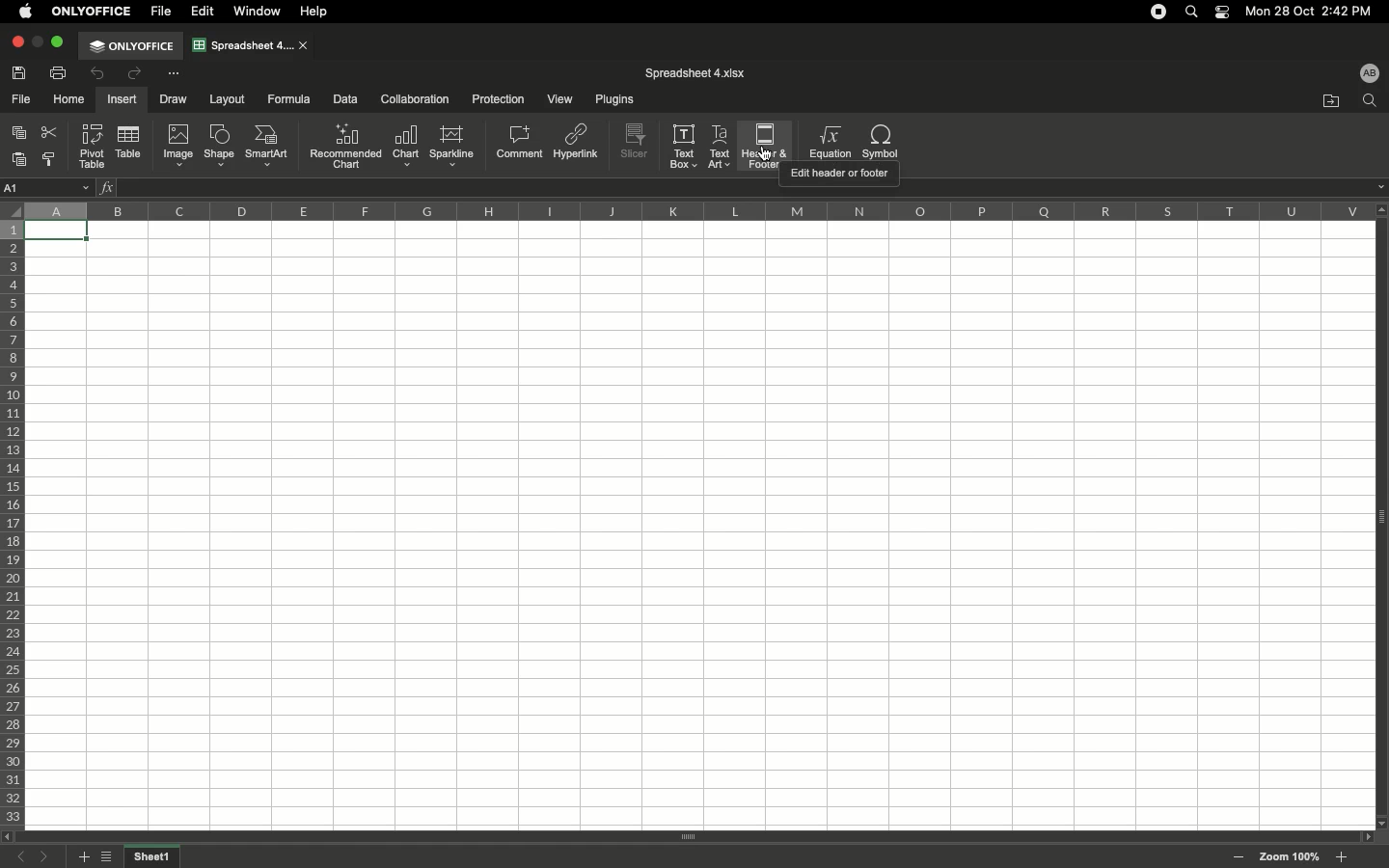 This screenshot has width=1389, height=868. Describe the element at coordinates (345, 146) in the screenshot. I see `Recommended chart` at that location.